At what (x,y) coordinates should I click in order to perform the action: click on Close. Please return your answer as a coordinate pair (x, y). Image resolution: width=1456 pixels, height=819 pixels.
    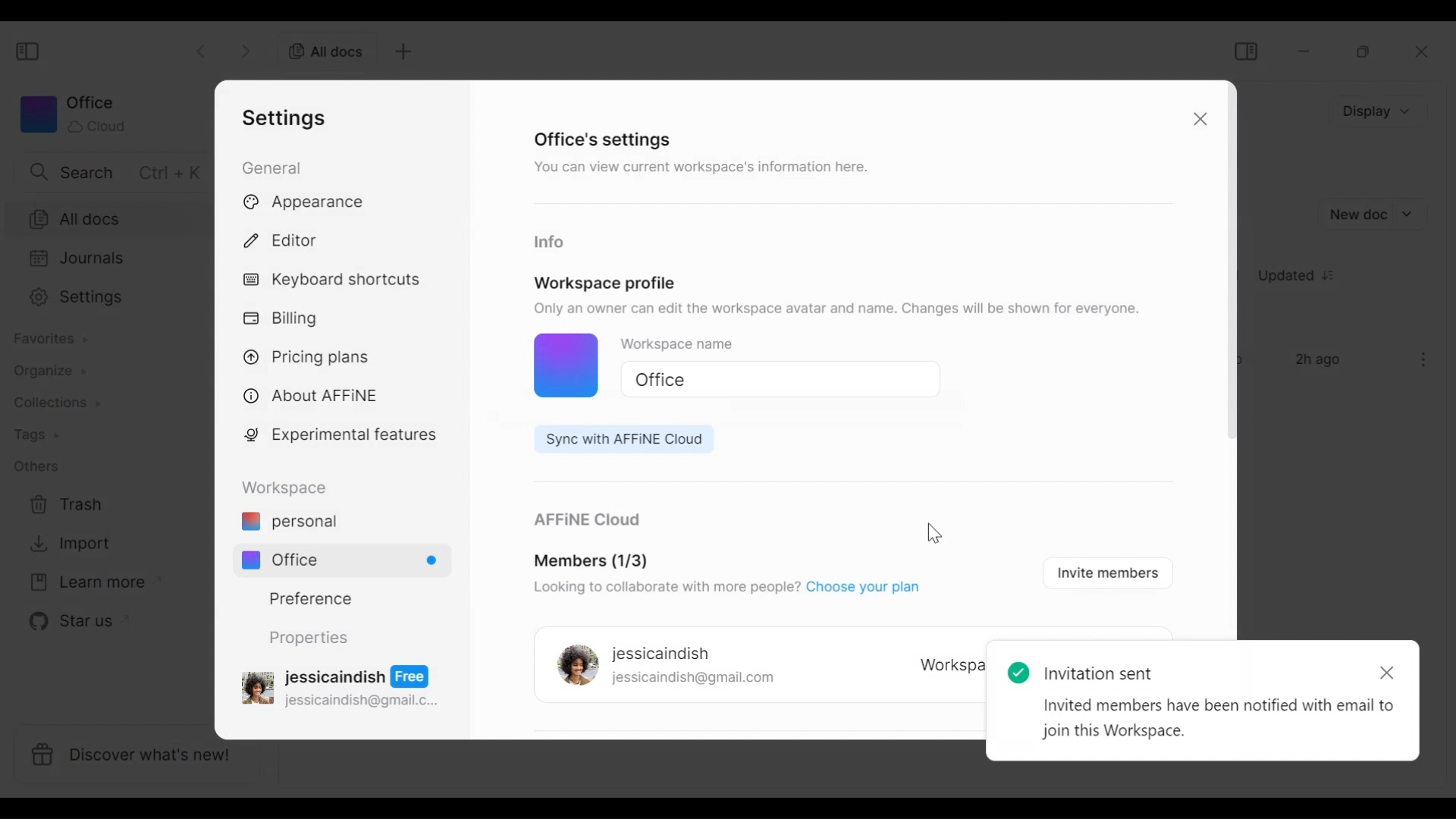
    Looking at the image, I should click on (1197, 121).